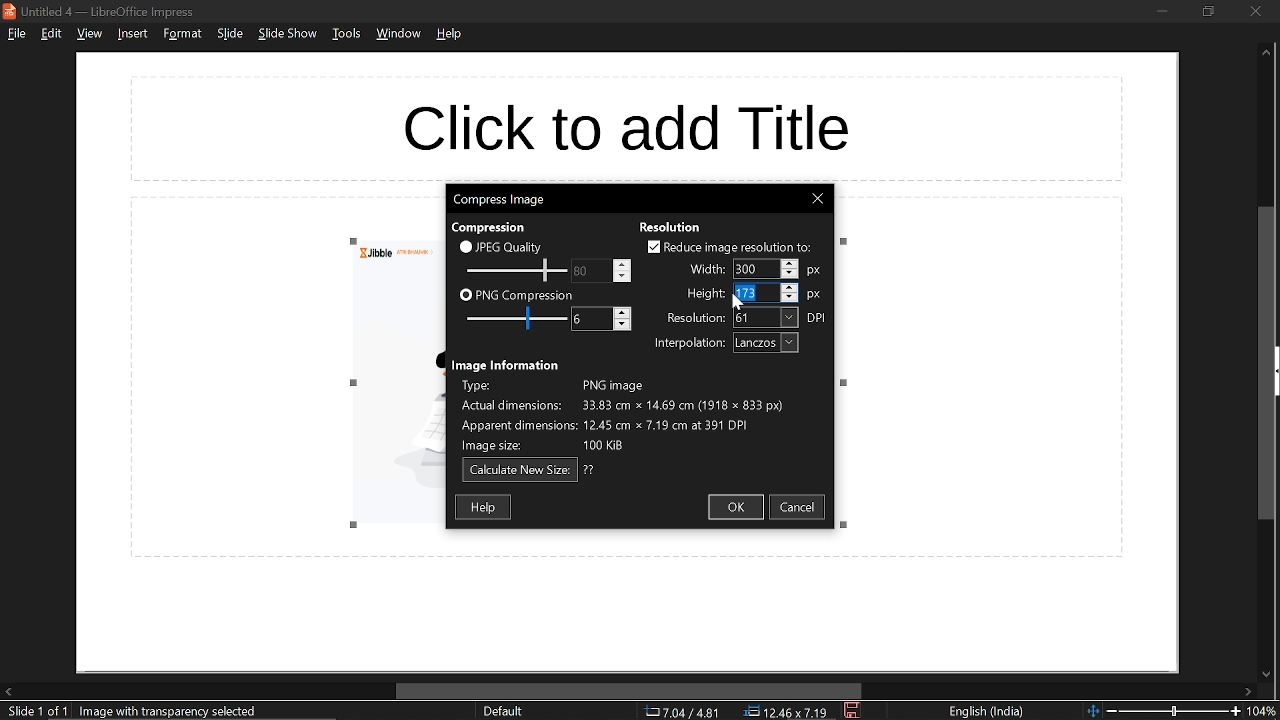 This screenshot has height=720, width=1280. Describe the element at coordinates (582, 271) in the screenshot. I see `change JPEG quality` at that location.